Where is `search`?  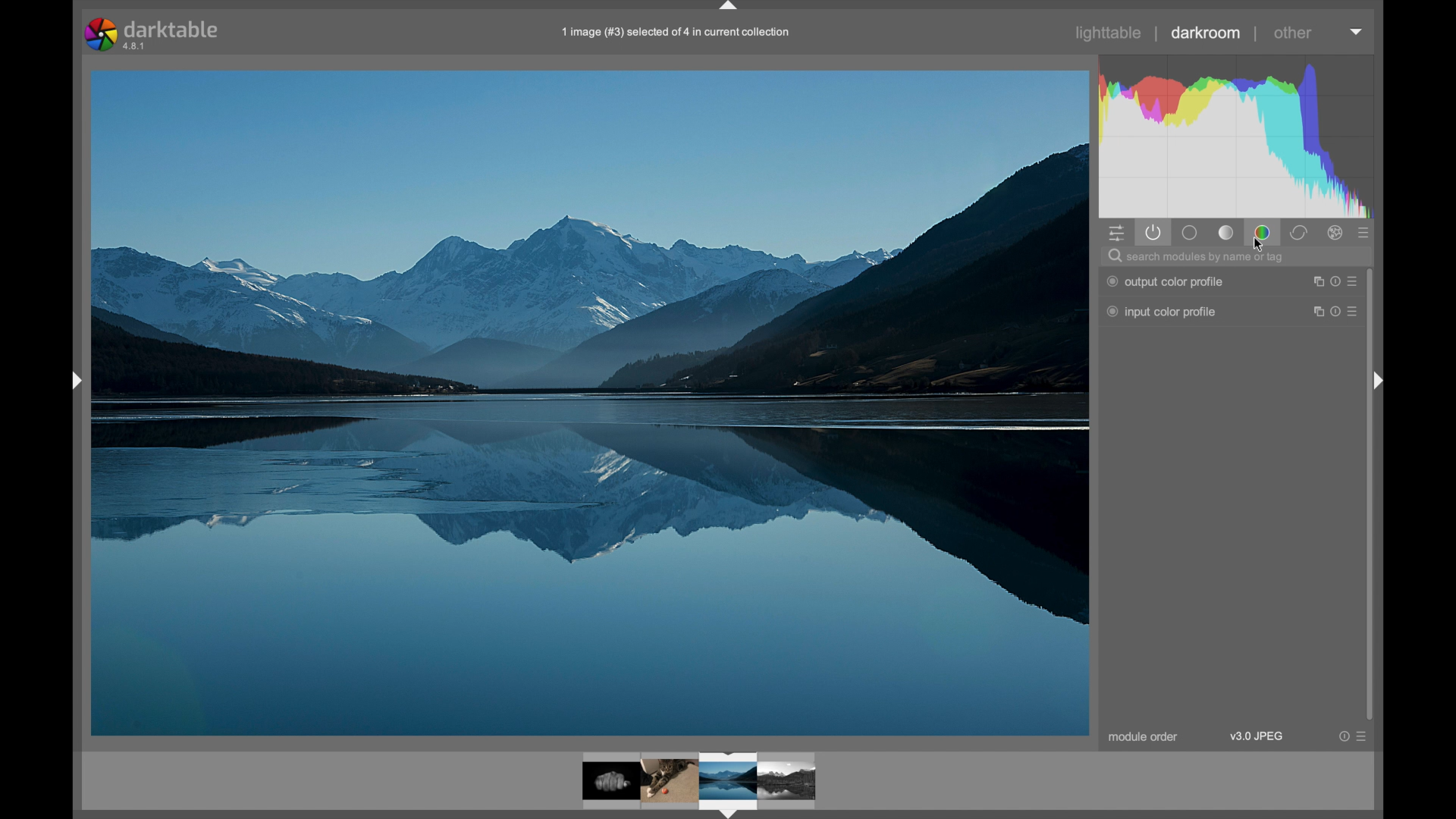
search is located at coordinates (1198, 257).